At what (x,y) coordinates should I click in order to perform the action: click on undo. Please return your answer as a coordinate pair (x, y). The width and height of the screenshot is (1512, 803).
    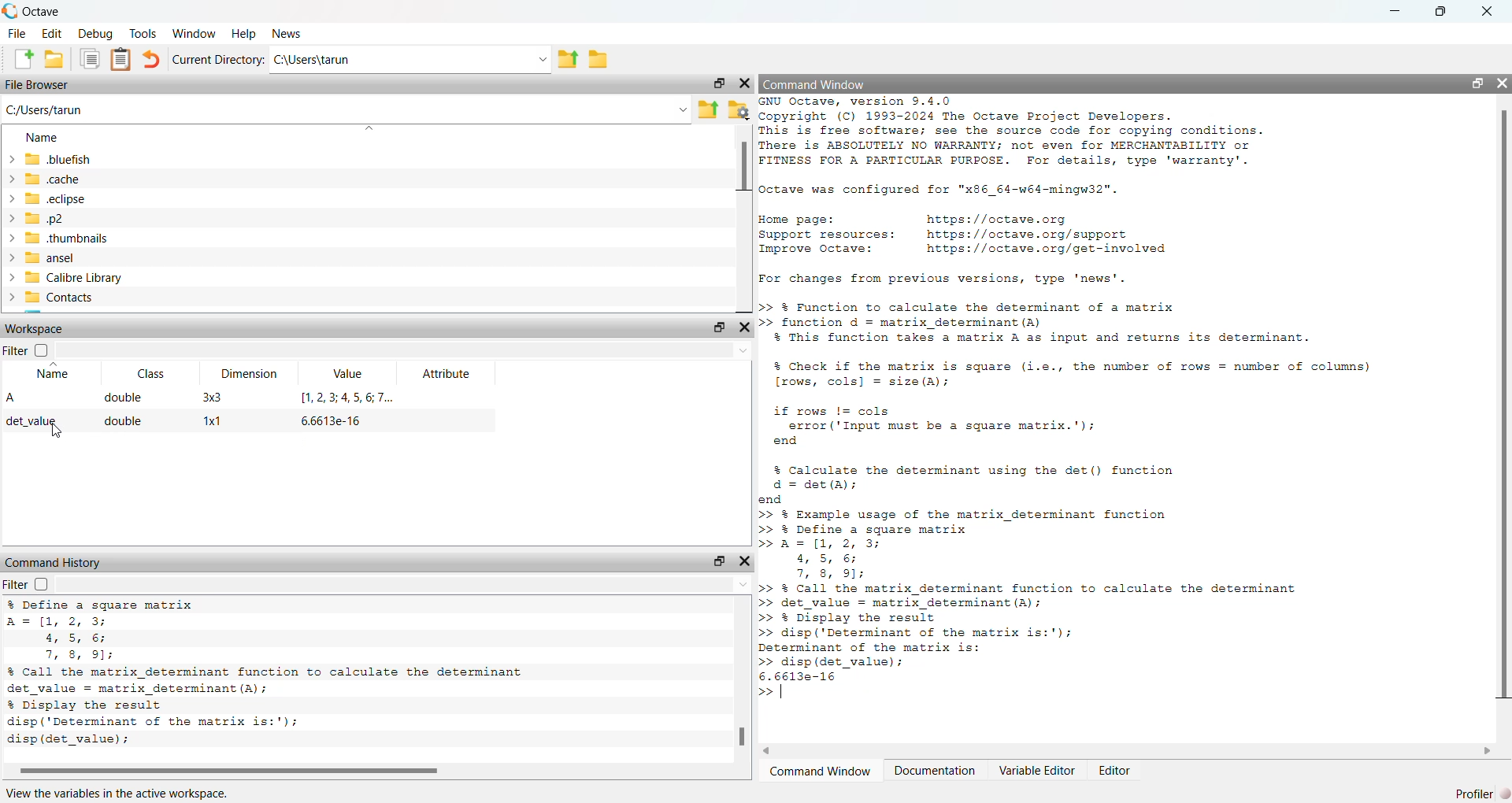
    Looking at the image, I should click on (153, 60).